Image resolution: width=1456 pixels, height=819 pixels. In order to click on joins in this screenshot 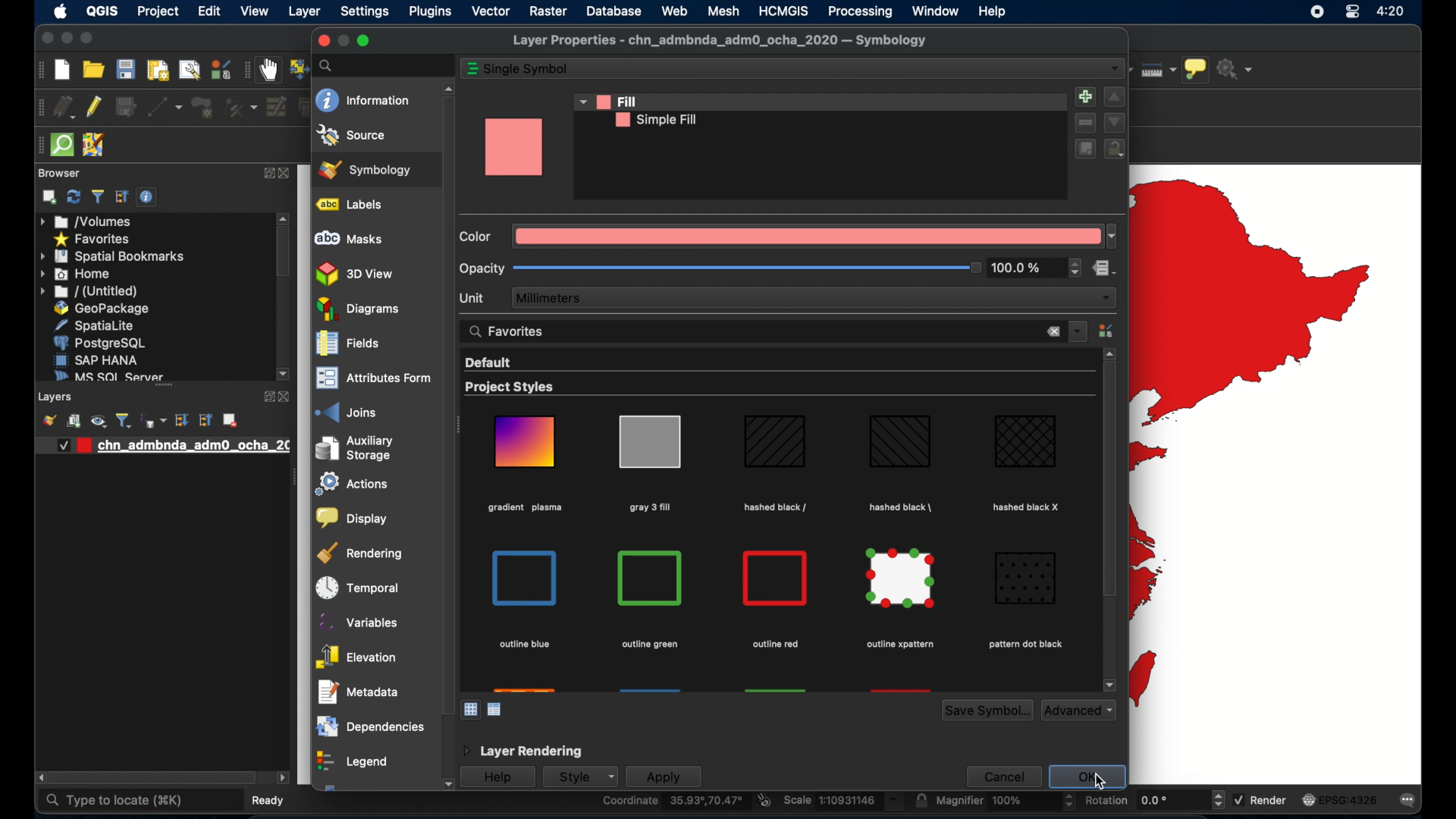, I will do `click(347, 412)`.